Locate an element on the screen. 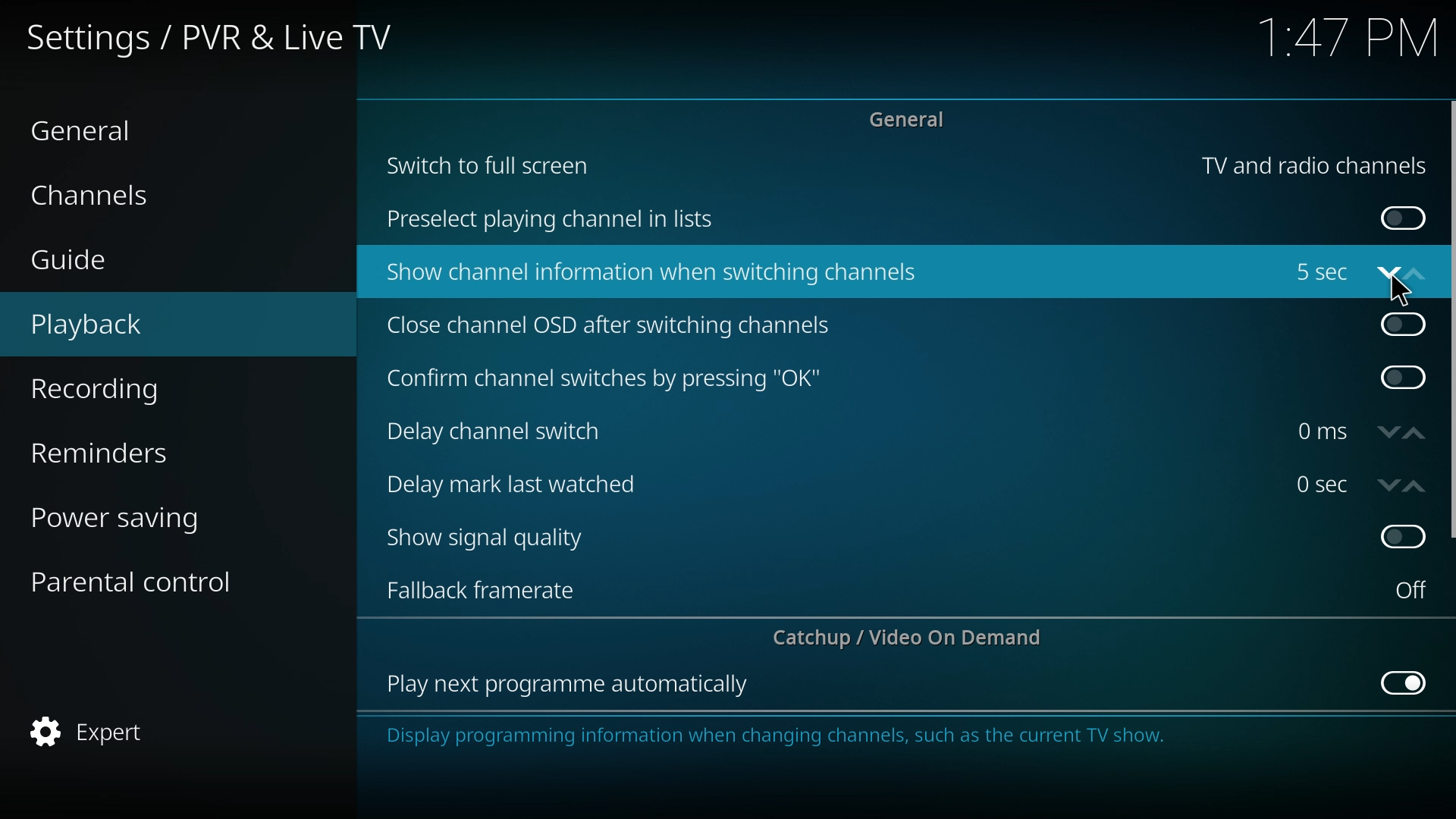  general is located at coordinates (107, 129).